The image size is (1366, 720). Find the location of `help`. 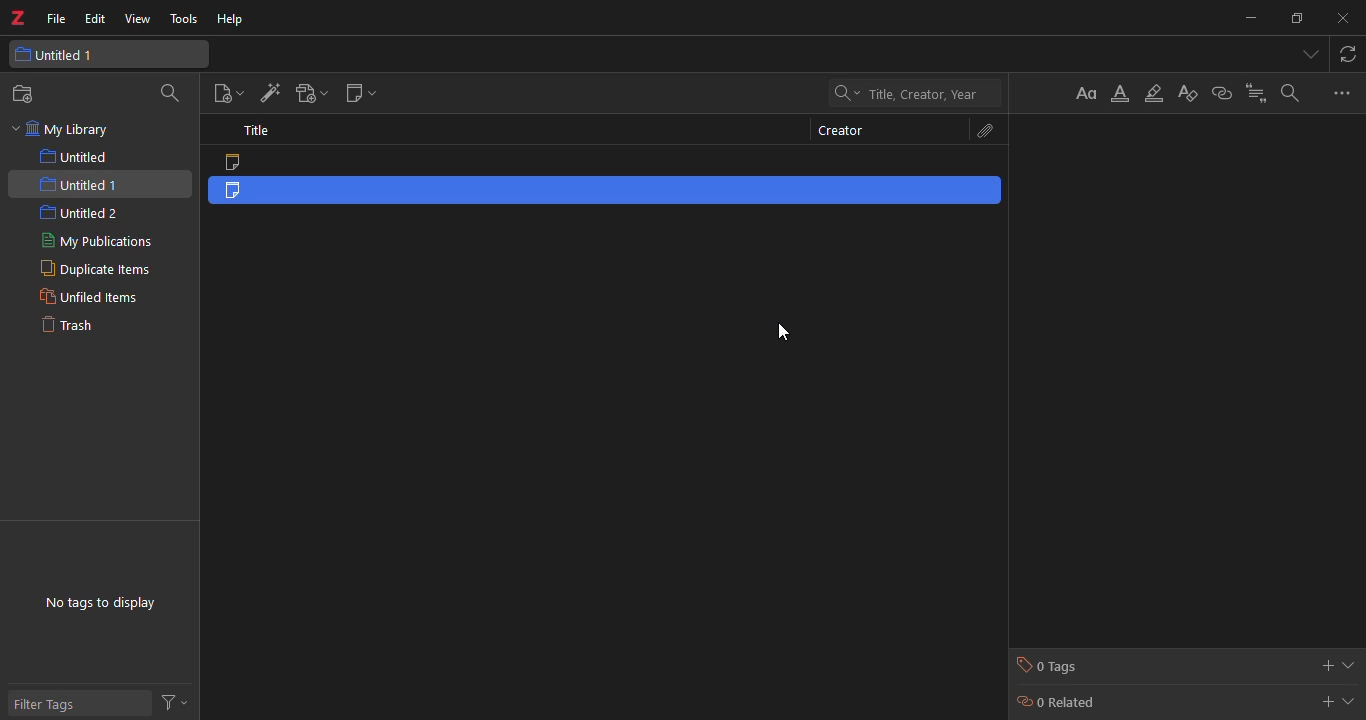

help is located at coordinates (229, 21).